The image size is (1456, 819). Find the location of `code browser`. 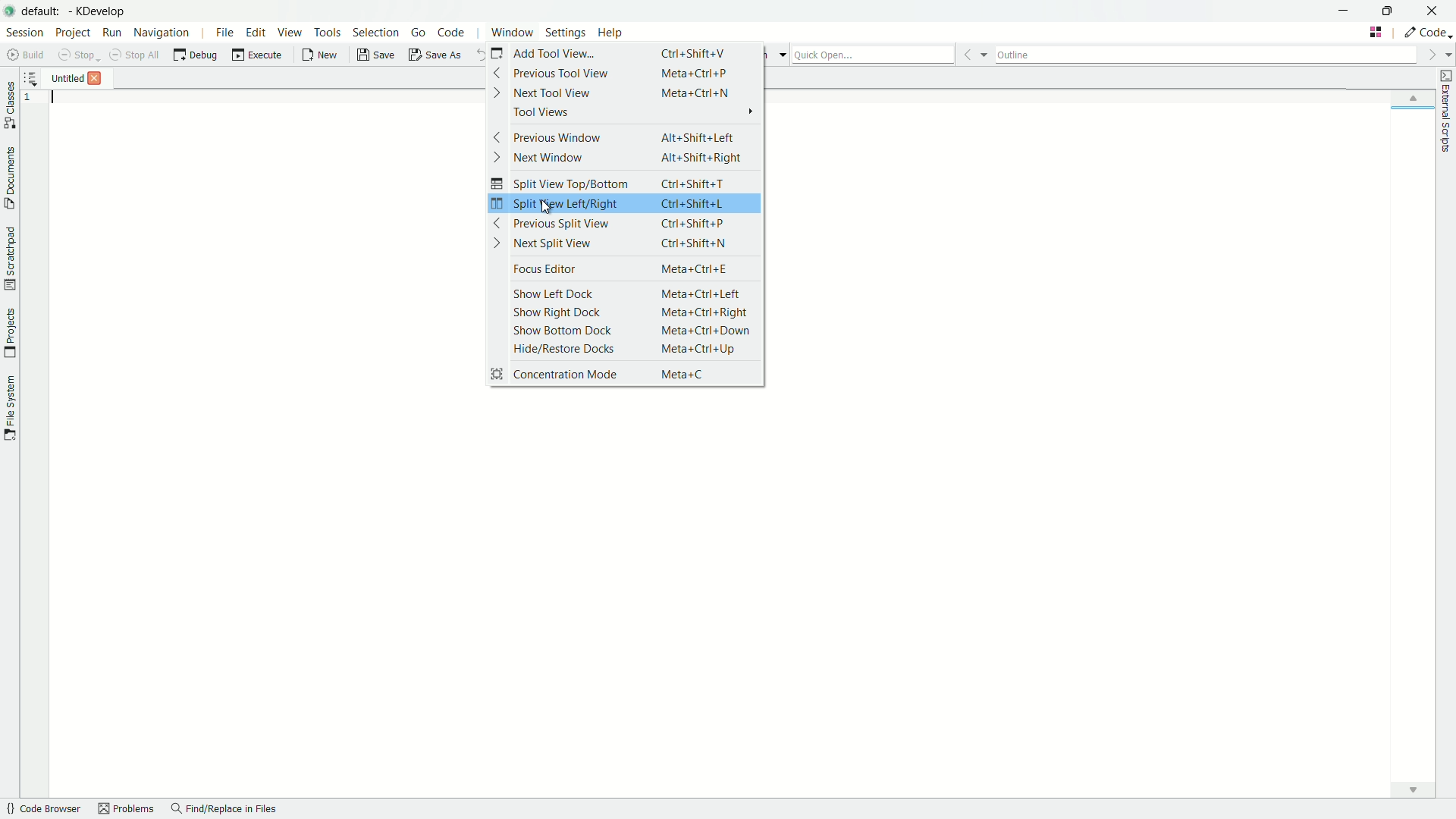

code browser is located at coordinates (45, 810).